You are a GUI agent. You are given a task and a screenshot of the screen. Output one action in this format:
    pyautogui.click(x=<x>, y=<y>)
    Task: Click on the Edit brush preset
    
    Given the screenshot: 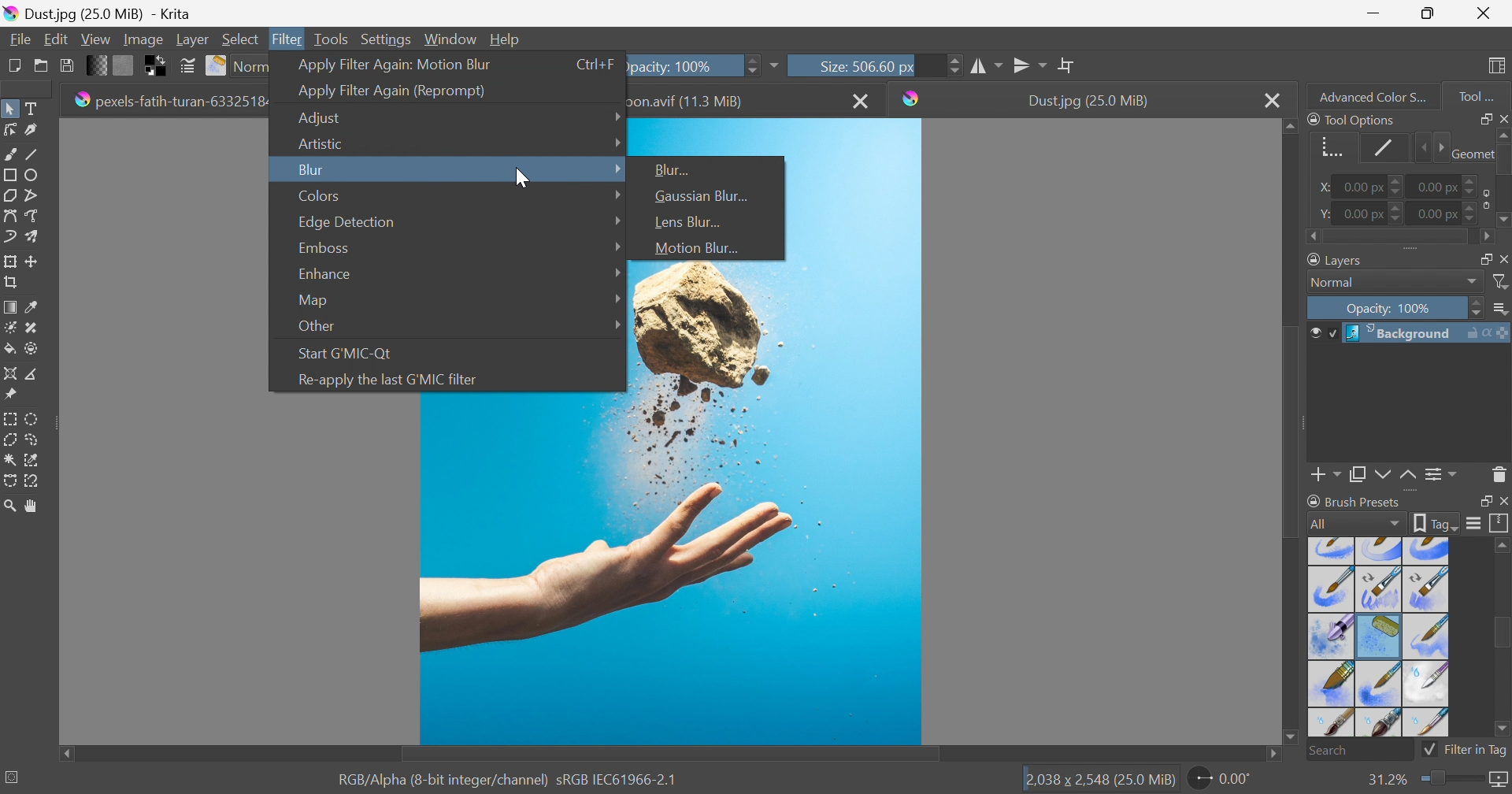 What is the action you would take?
    pyautogui.click(x=187, y=66)
    